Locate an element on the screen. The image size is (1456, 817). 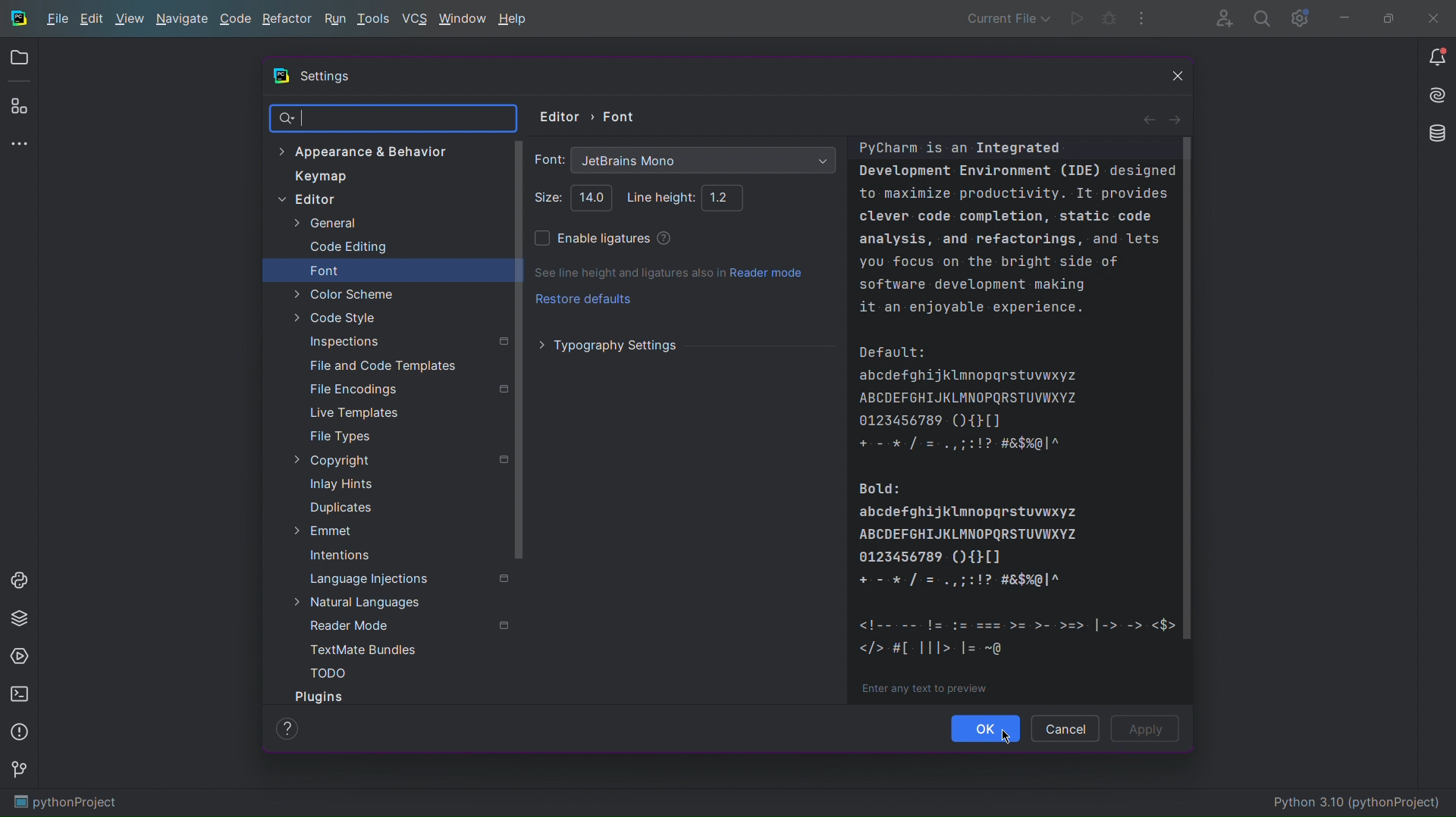
Scrollbar is located at coordinates (519, 349).